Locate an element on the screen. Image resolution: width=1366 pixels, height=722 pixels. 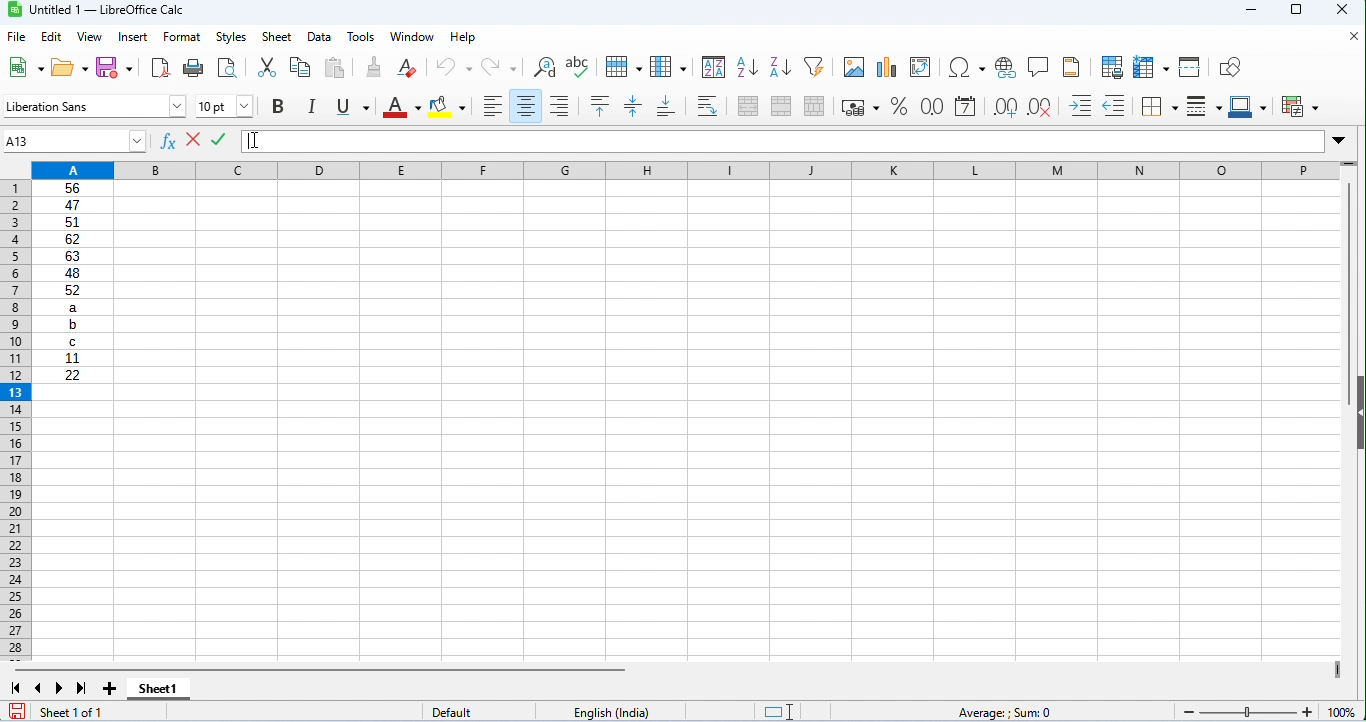
unmerge cells is located at coordinates (815, 106).